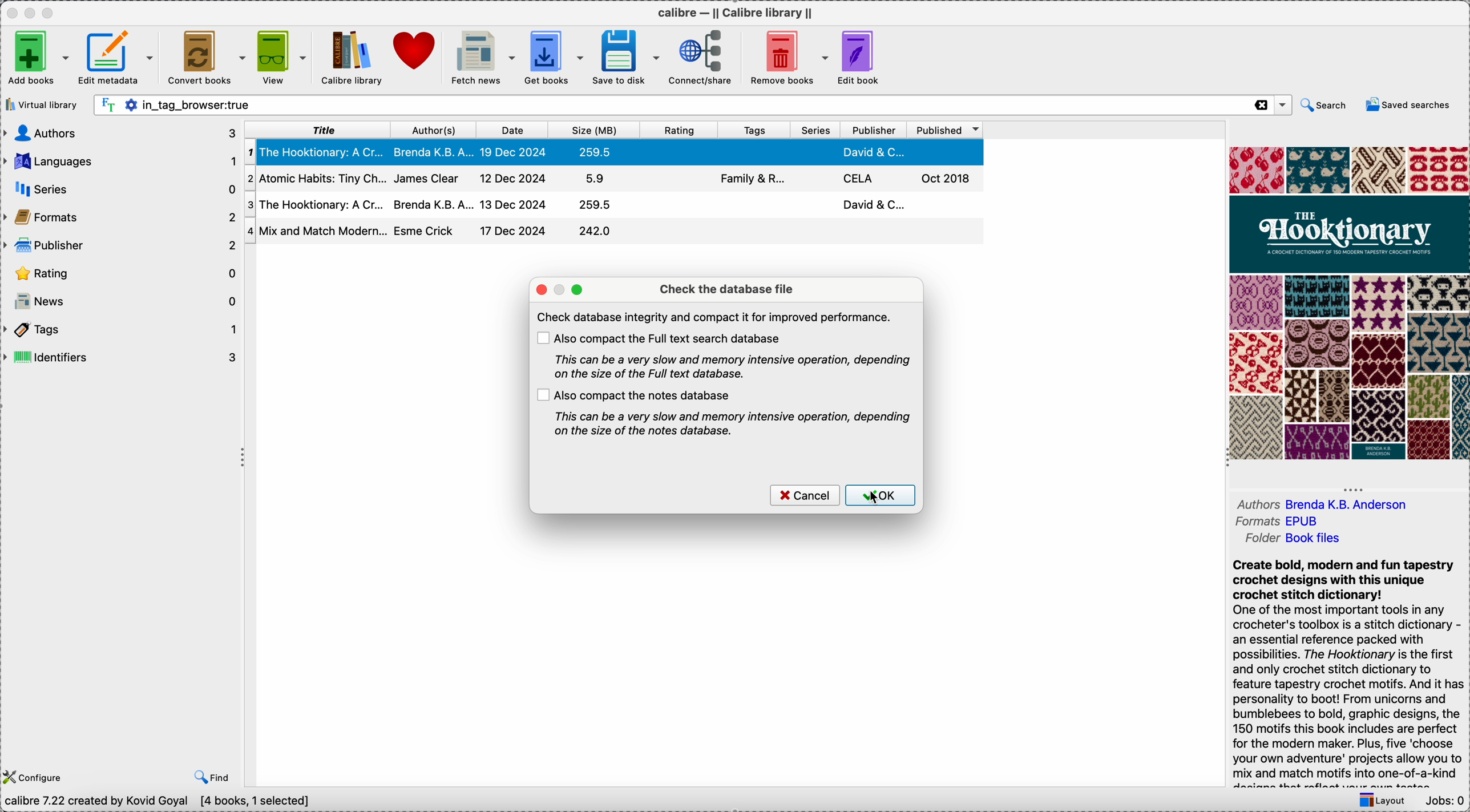 The image size is (1470, 812). What do you see at coordinates (540, 290) in the screenshot?
I see `close pop-up` at bounding box center [540, 290].